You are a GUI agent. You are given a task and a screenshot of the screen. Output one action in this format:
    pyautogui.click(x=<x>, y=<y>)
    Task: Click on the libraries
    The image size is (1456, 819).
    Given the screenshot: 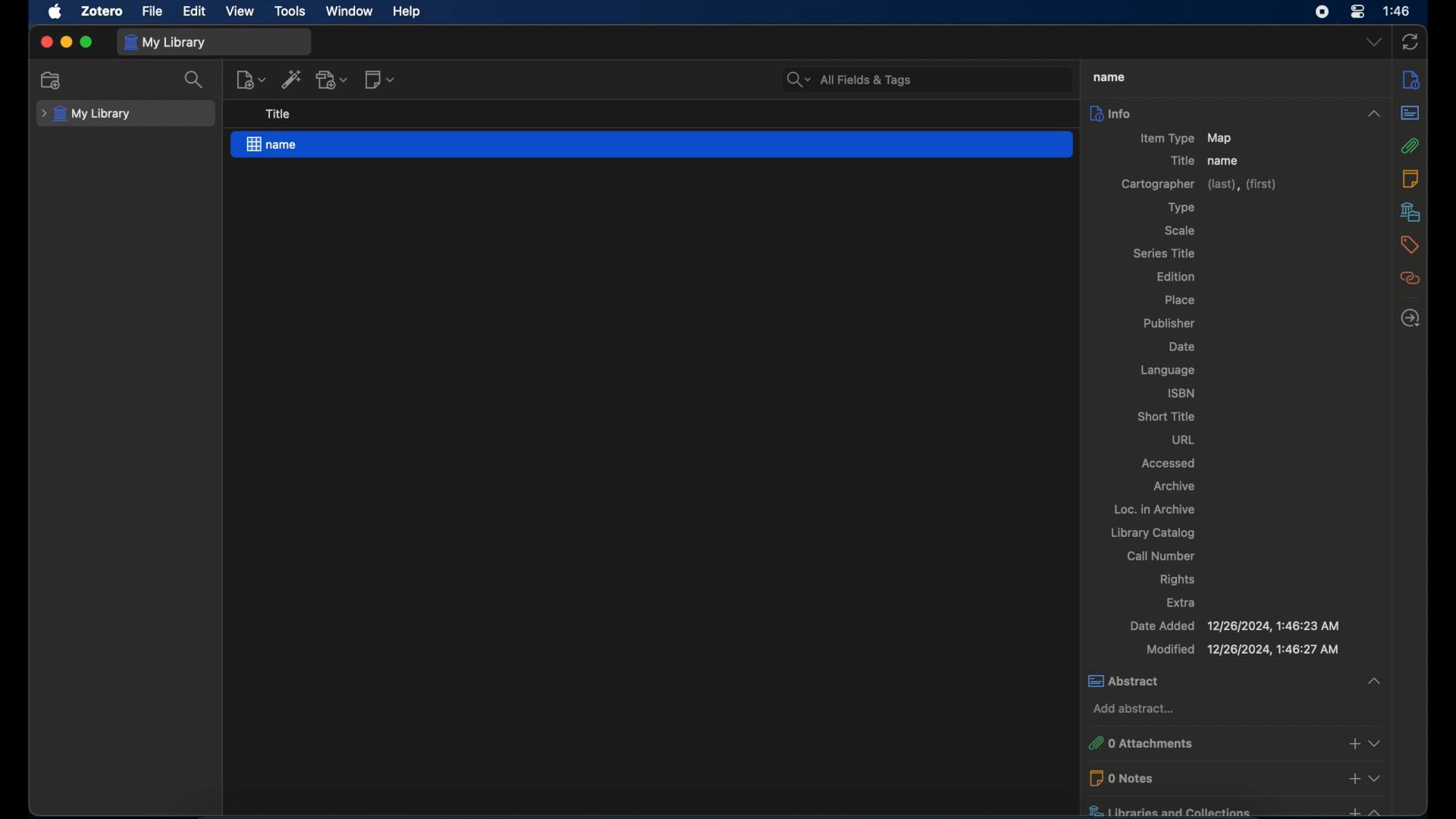 What is the action you would take?
    pyautogui.click(x=1411, y=212)
    